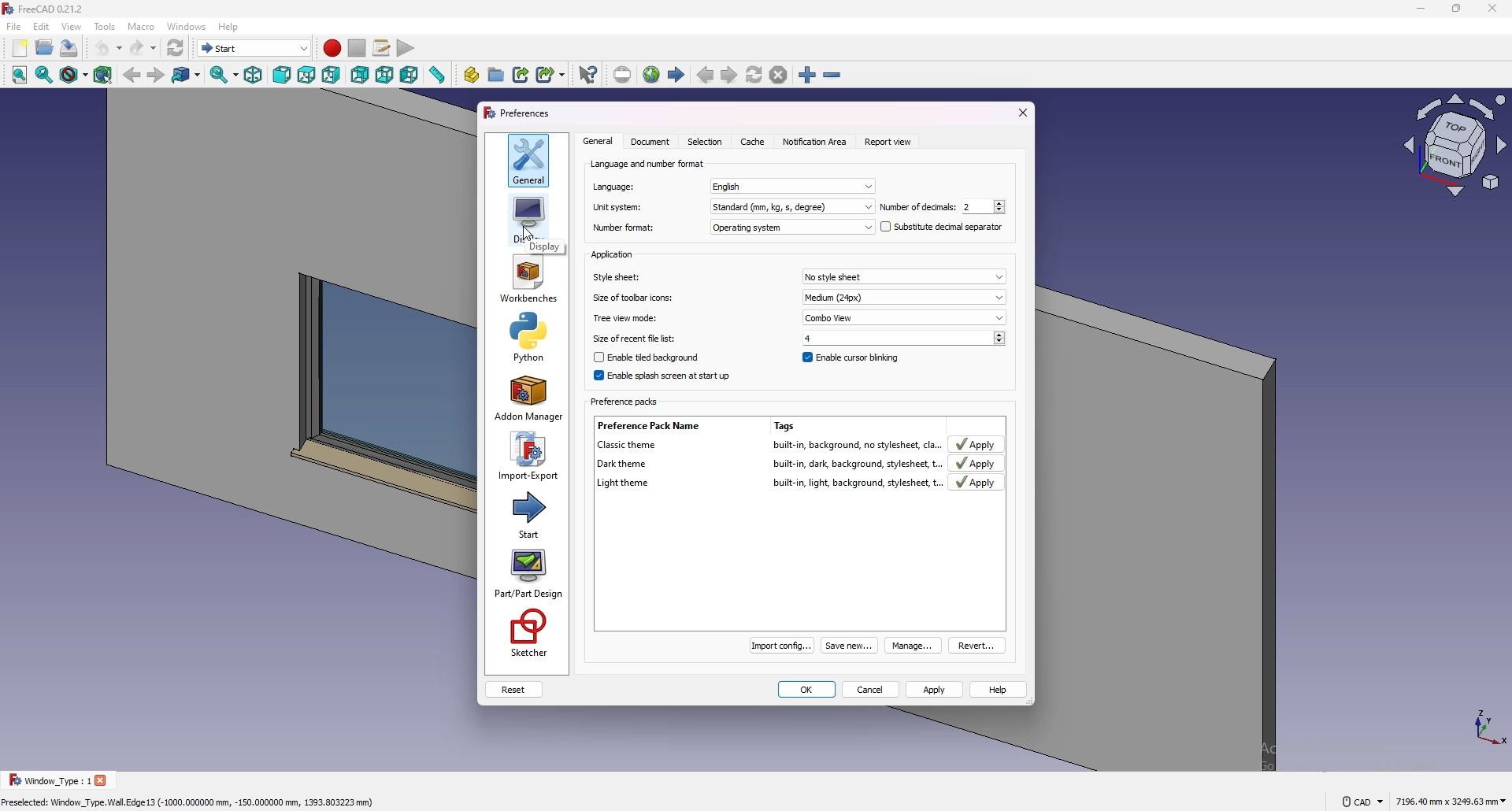 Image resolution: width=1512 pixels, height=811 pixels. Describe the element at coordinates (46, 47) in the screenshot. I see `open` at that location.